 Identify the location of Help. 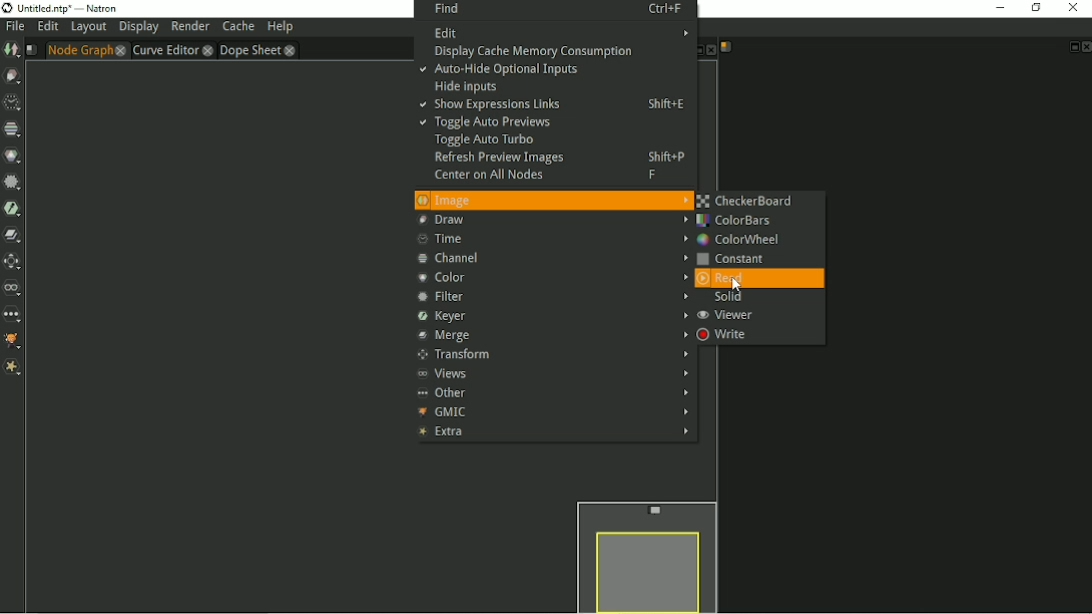
(279, 27).